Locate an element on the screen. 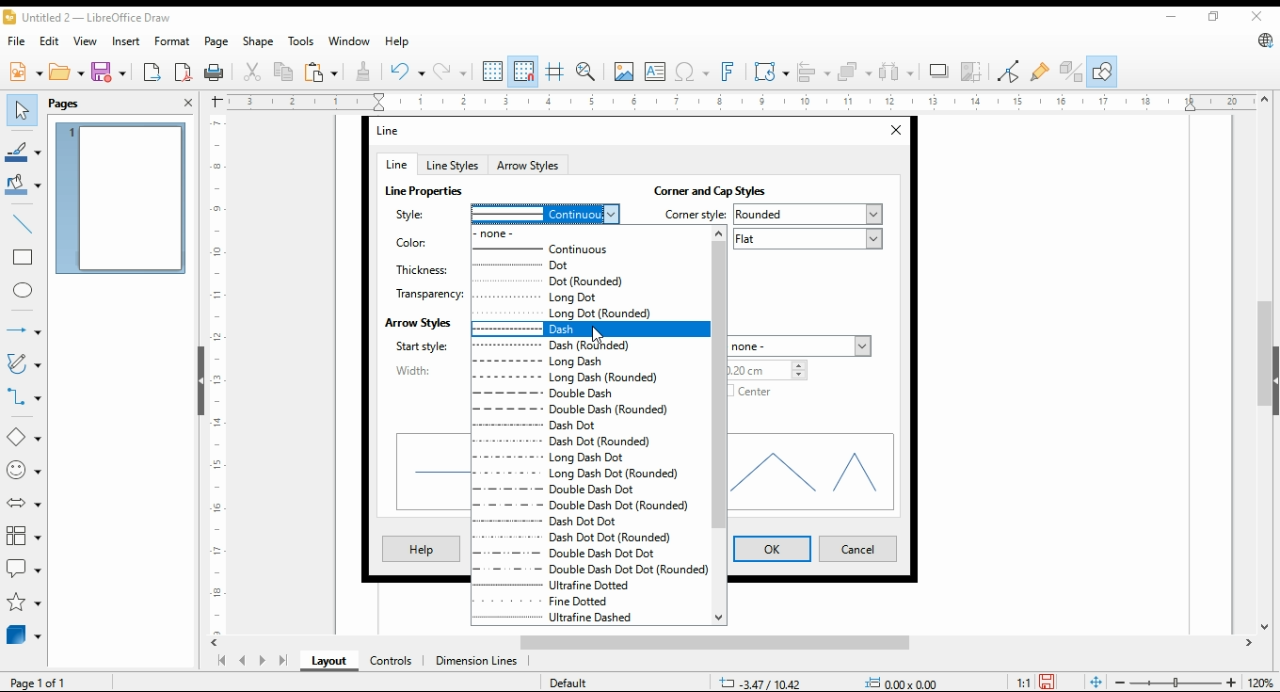 This screenshot has width=1280, height=692. select at least three objects to distribute is located at coordinates (896, 72).